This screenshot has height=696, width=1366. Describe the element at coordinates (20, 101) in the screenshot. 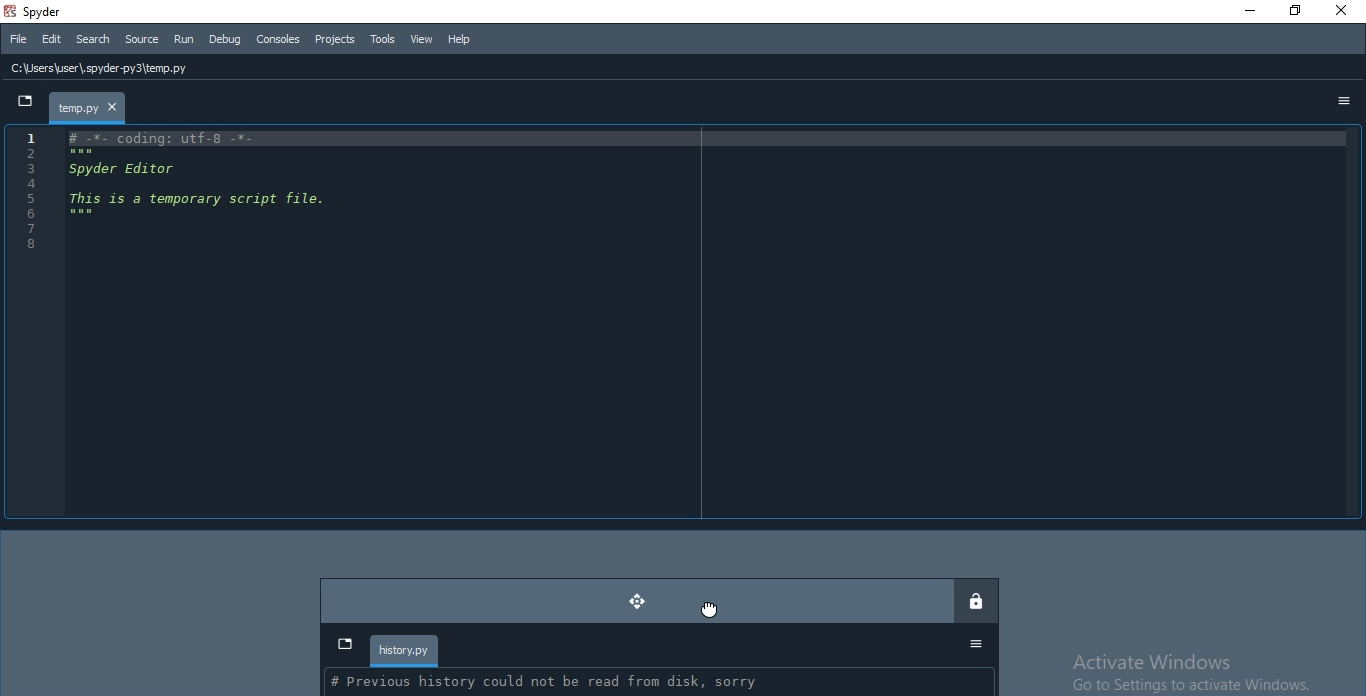

I see `dropdown` at that location.